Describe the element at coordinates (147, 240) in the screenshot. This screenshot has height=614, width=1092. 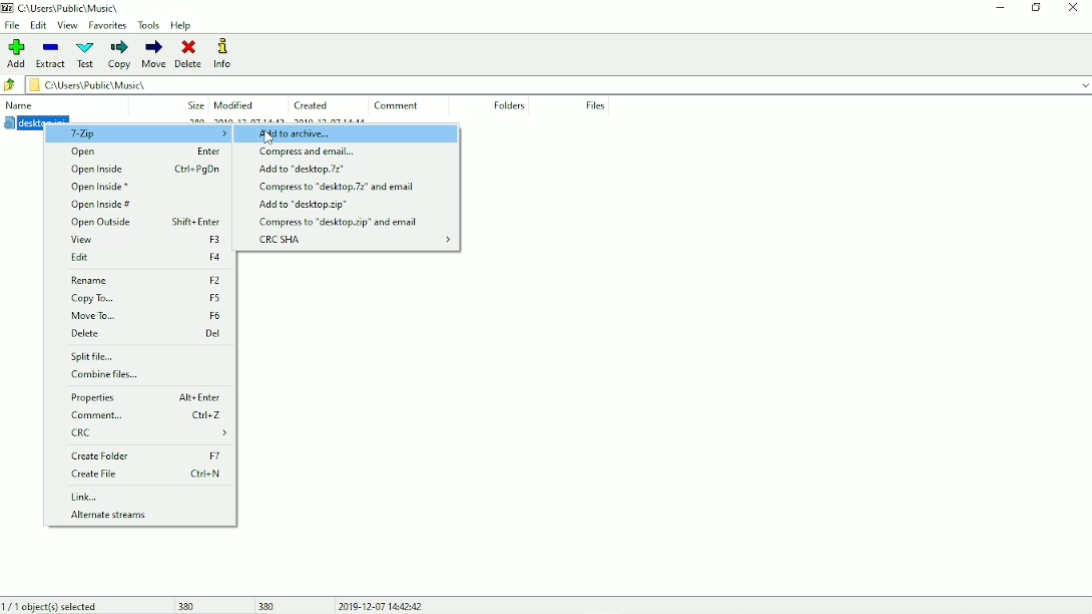
I see `View` at that location.